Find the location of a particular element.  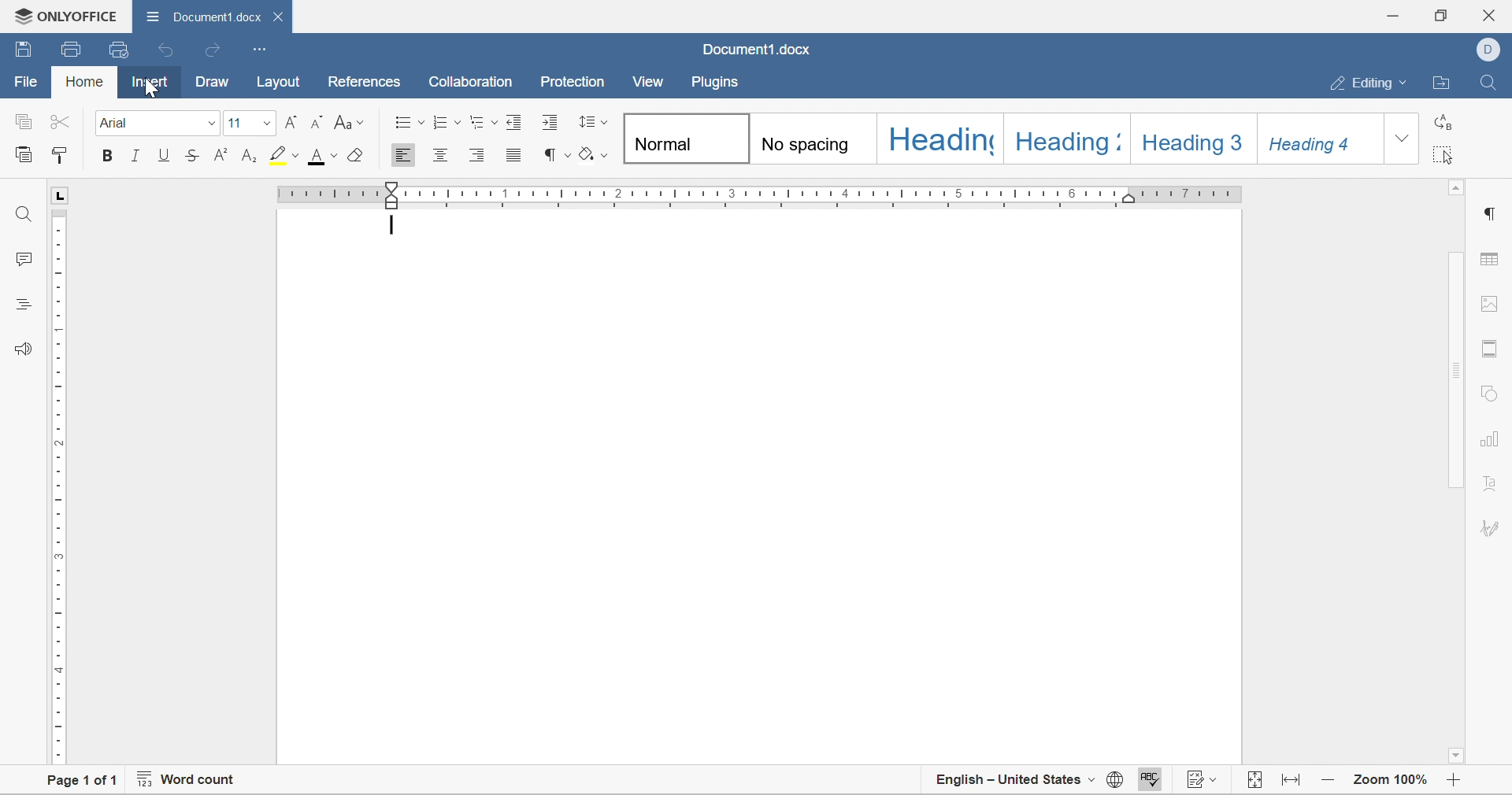

Bullets is located at coordinates (408, 122).